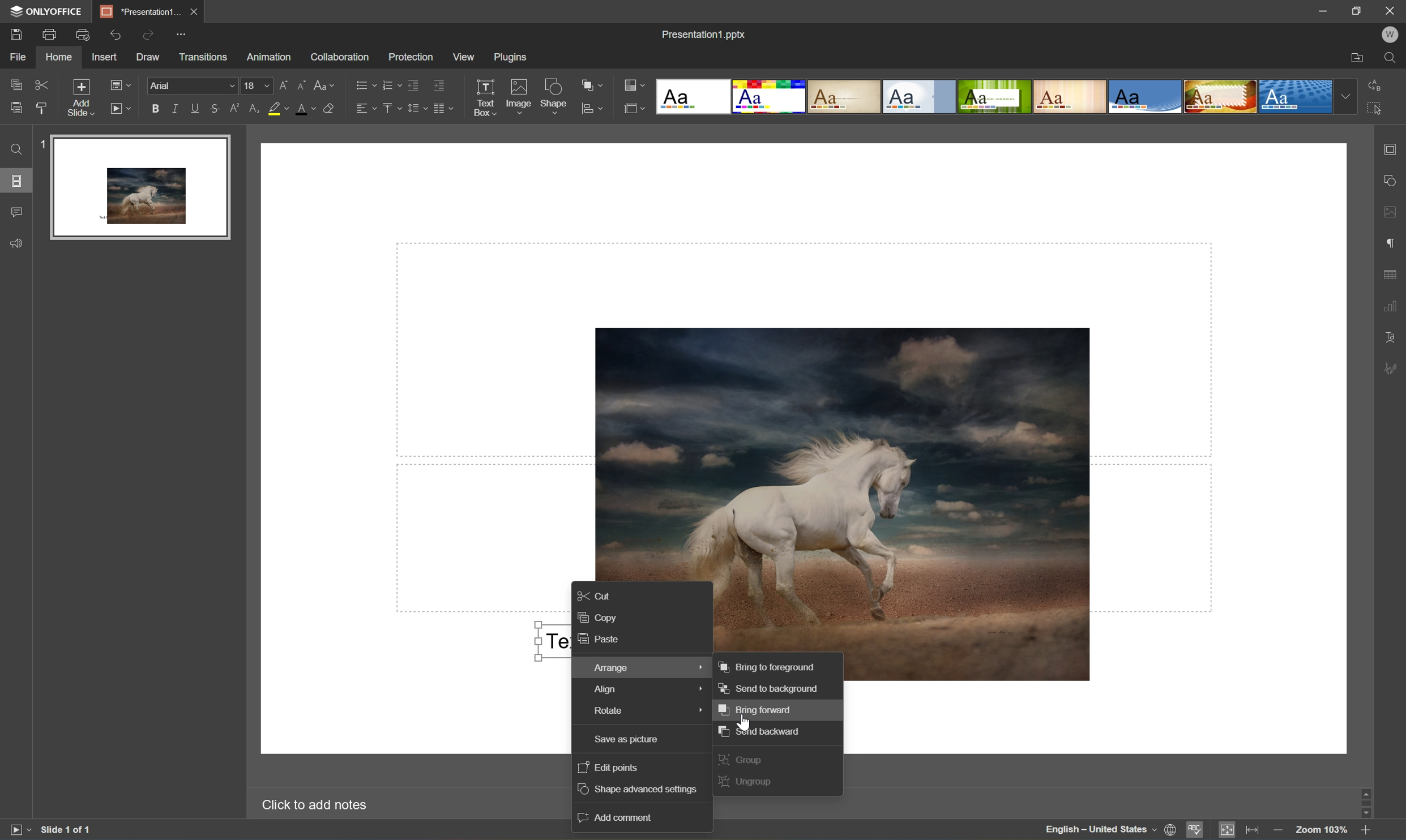 Image resolution: width=1406 pixels, height=840 pixels. Describe the element at coordinates (1228, 830) in the screenshot. I see `Fit to slide` at that location.